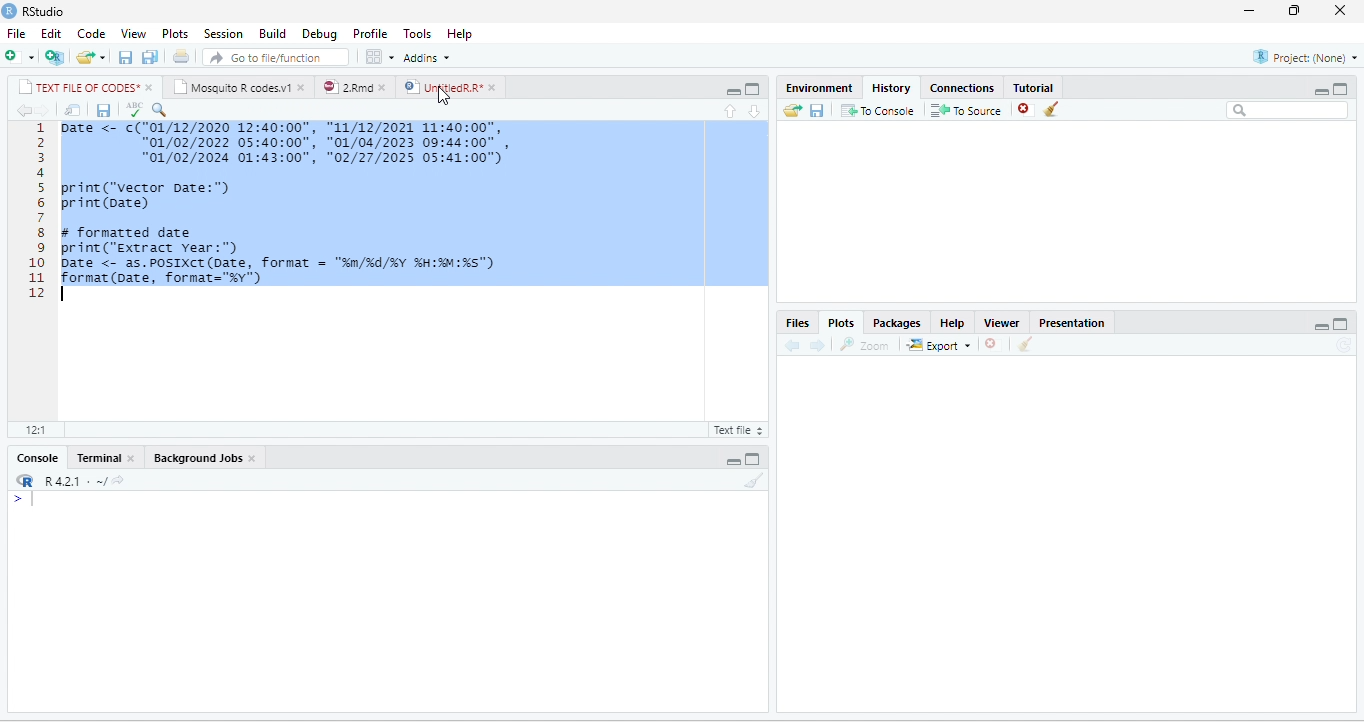 This screenshot has height=722, width=1364. I want to click on logo, so click(10, 11).